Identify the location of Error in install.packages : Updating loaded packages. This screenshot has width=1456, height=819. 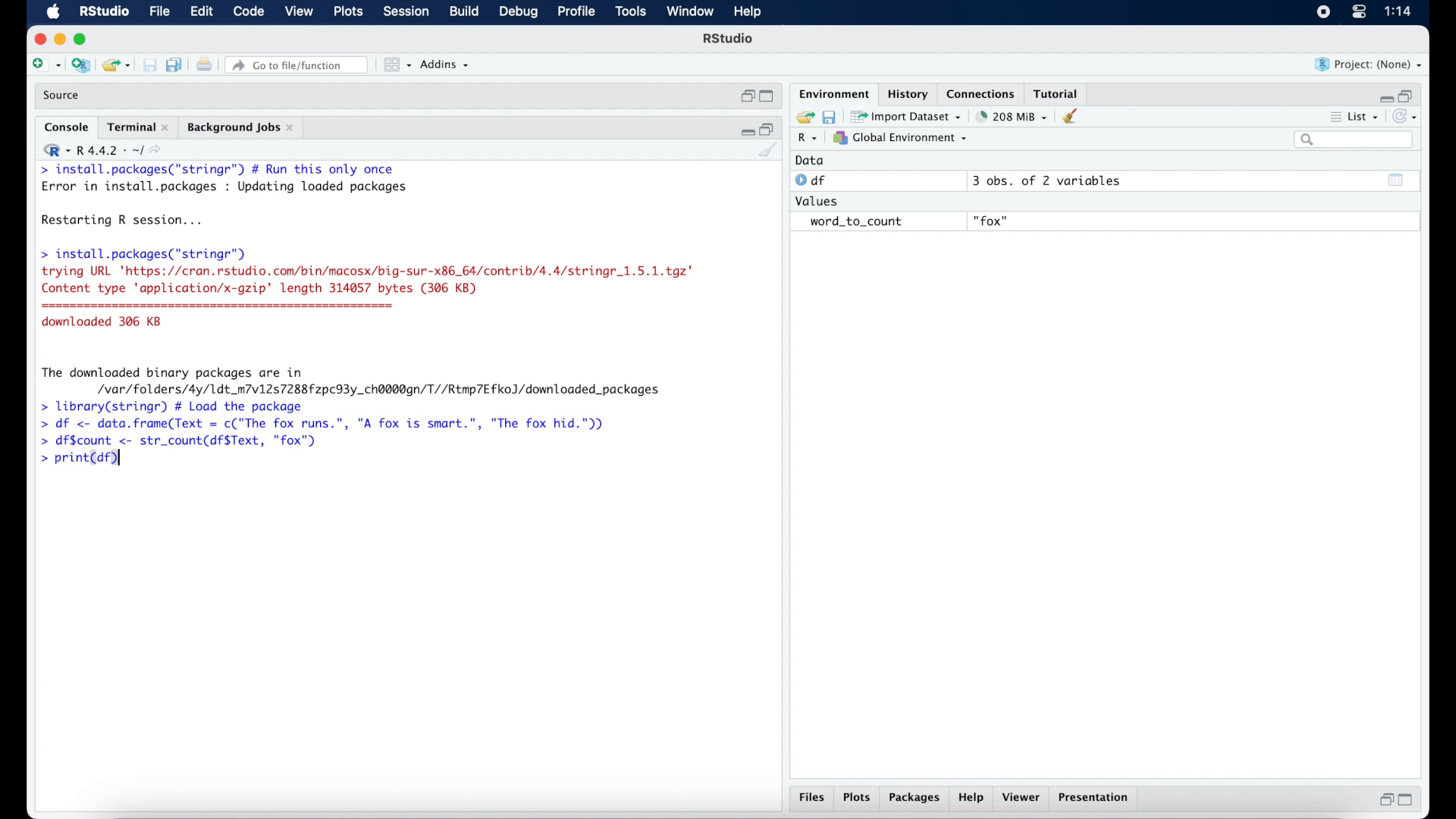
(224, 187).